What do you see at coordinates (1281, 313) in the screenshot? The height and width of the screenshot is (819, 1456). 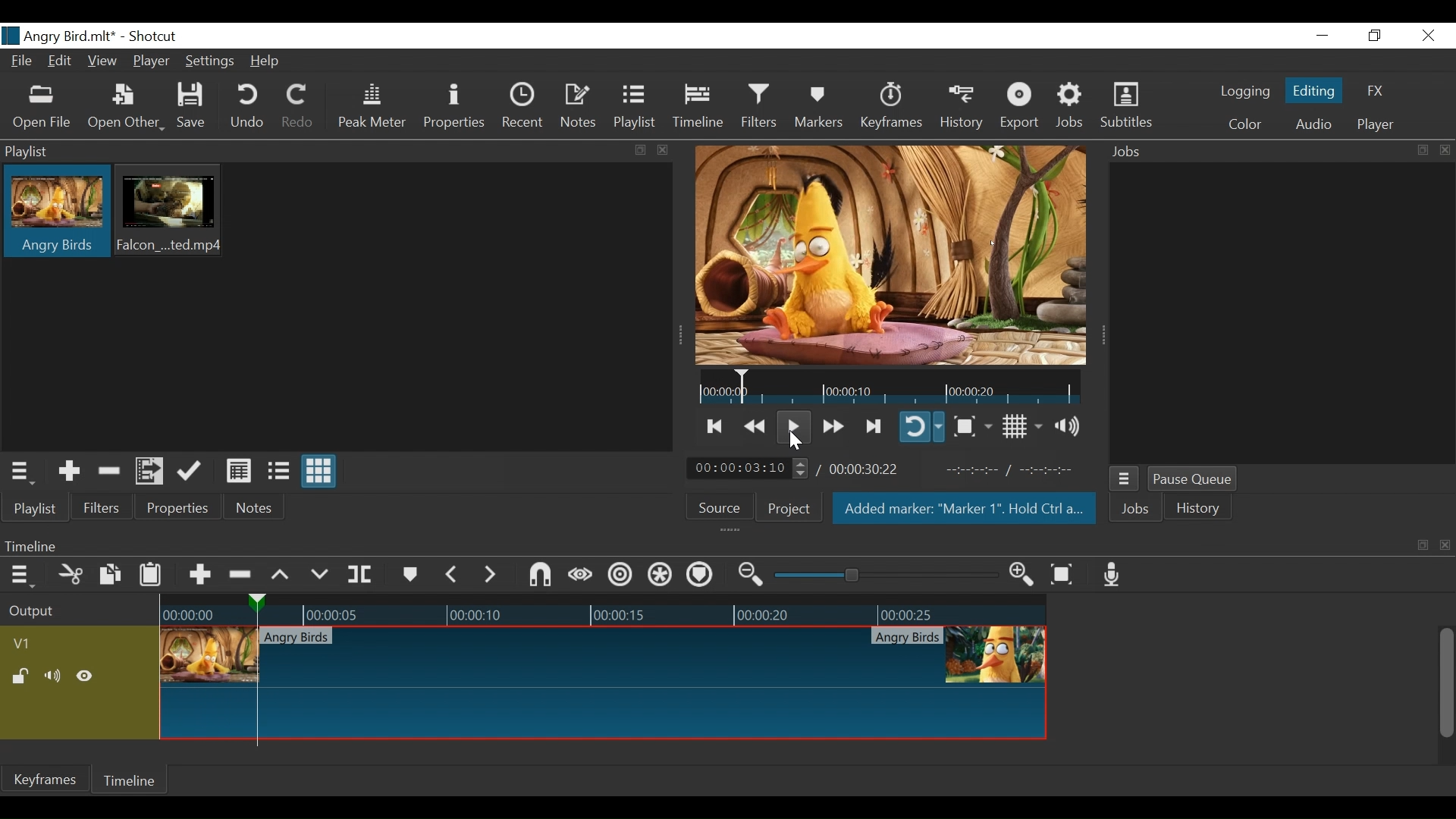 I see `Jobs Panel` at bounding box center [1281, 313].